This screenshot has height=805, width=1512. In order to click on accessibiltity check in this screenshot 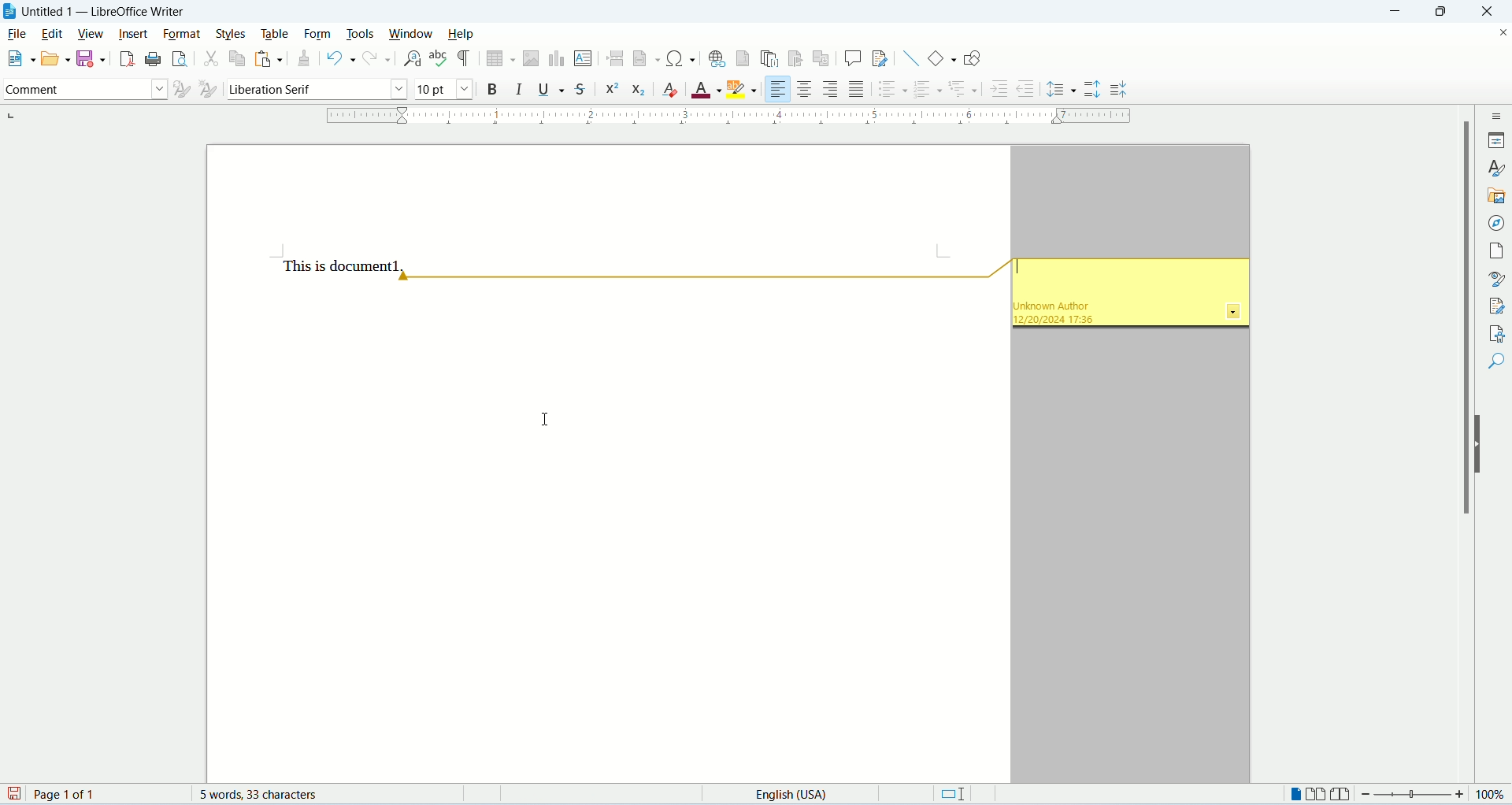, I will do `click(1493, 332)`.